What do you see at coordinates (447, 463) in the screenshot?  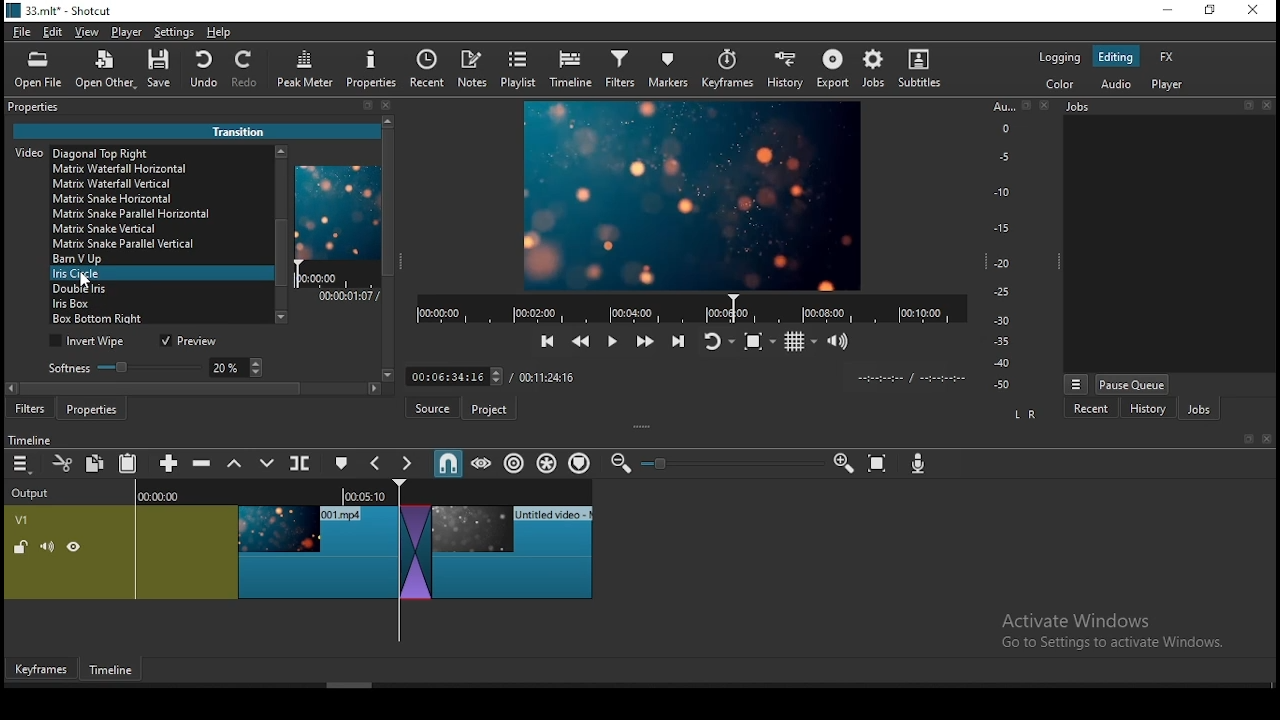 I see `snap` at bounding box center [447, 463].